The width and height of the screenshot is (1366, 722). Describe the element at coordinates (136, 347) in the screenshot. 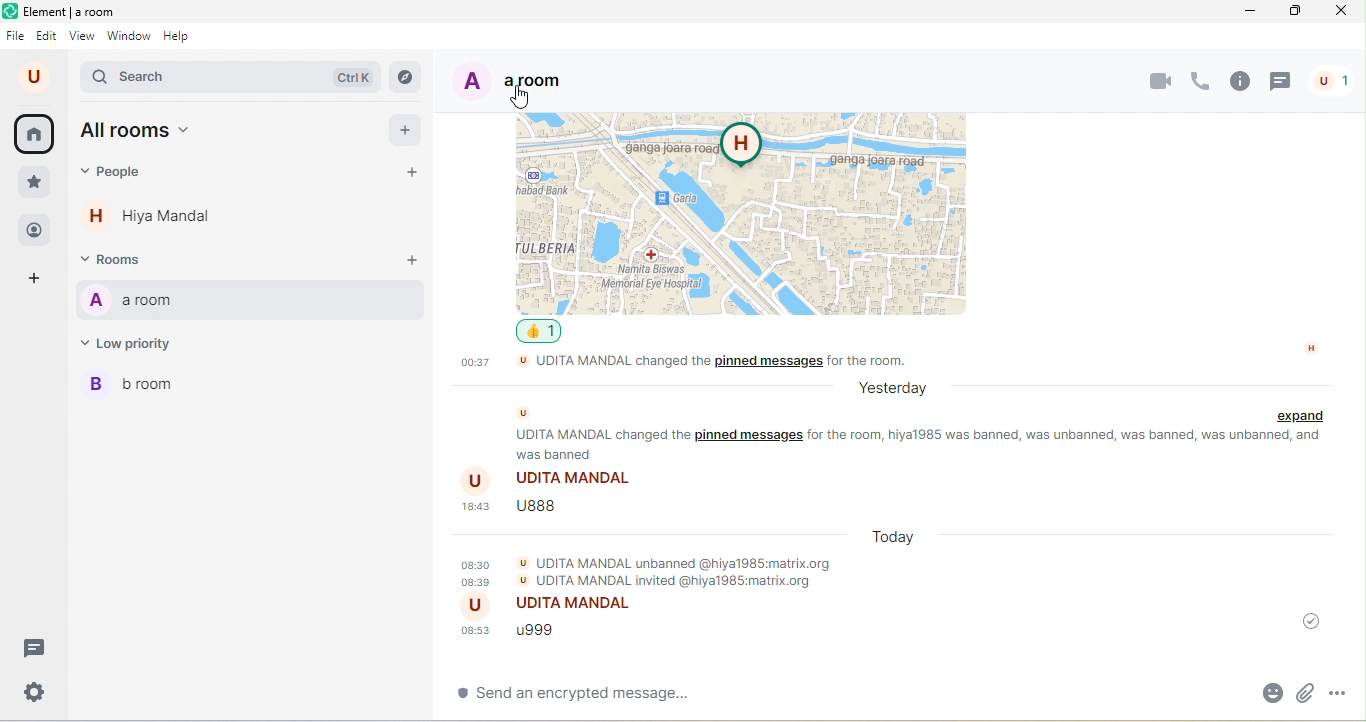

I see `low priority` at that location.